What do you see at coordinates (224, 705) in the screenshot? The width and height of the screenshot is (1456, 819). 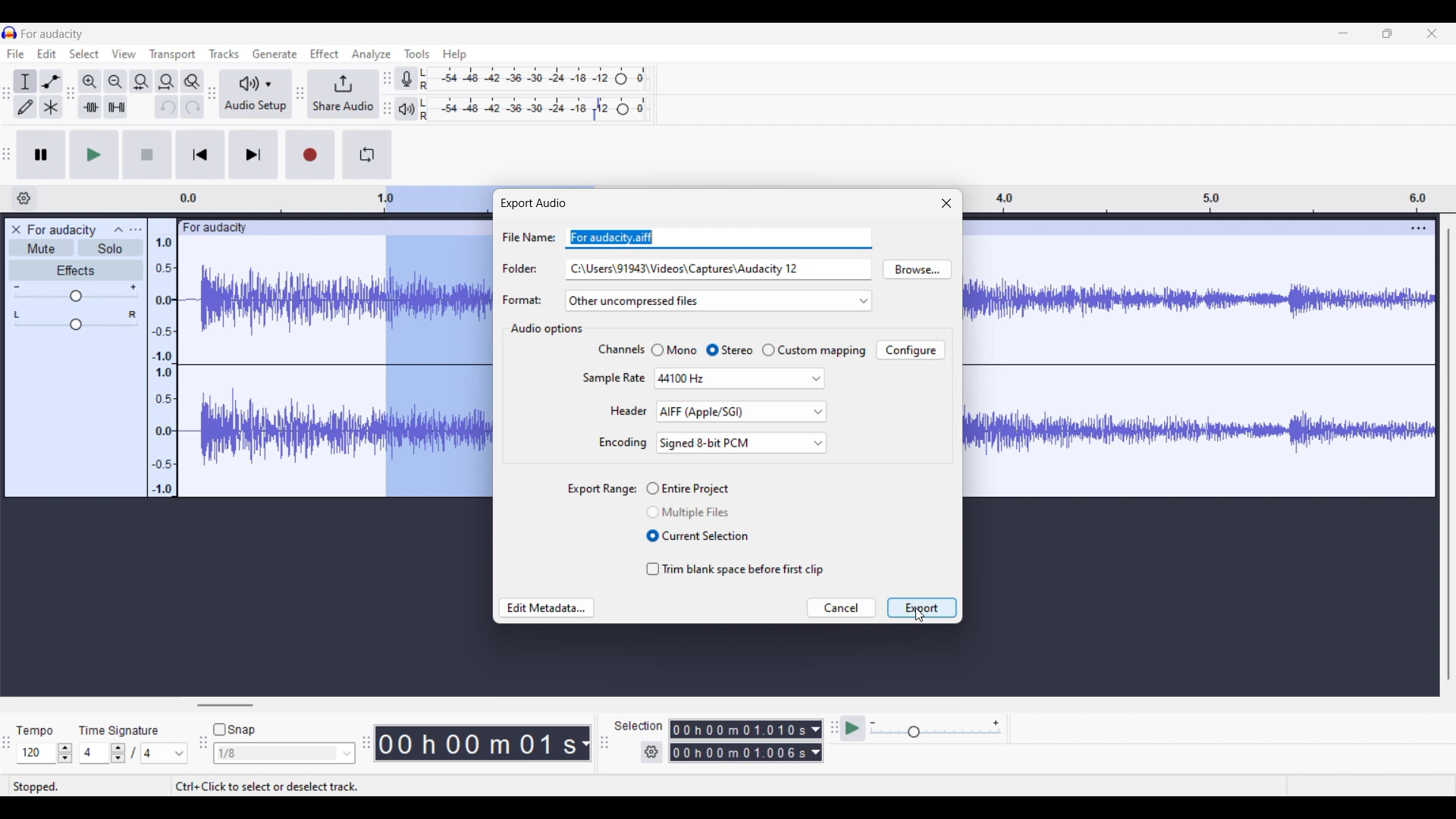 I see `Horizontal slide bar` at bounding box center [224, 705].